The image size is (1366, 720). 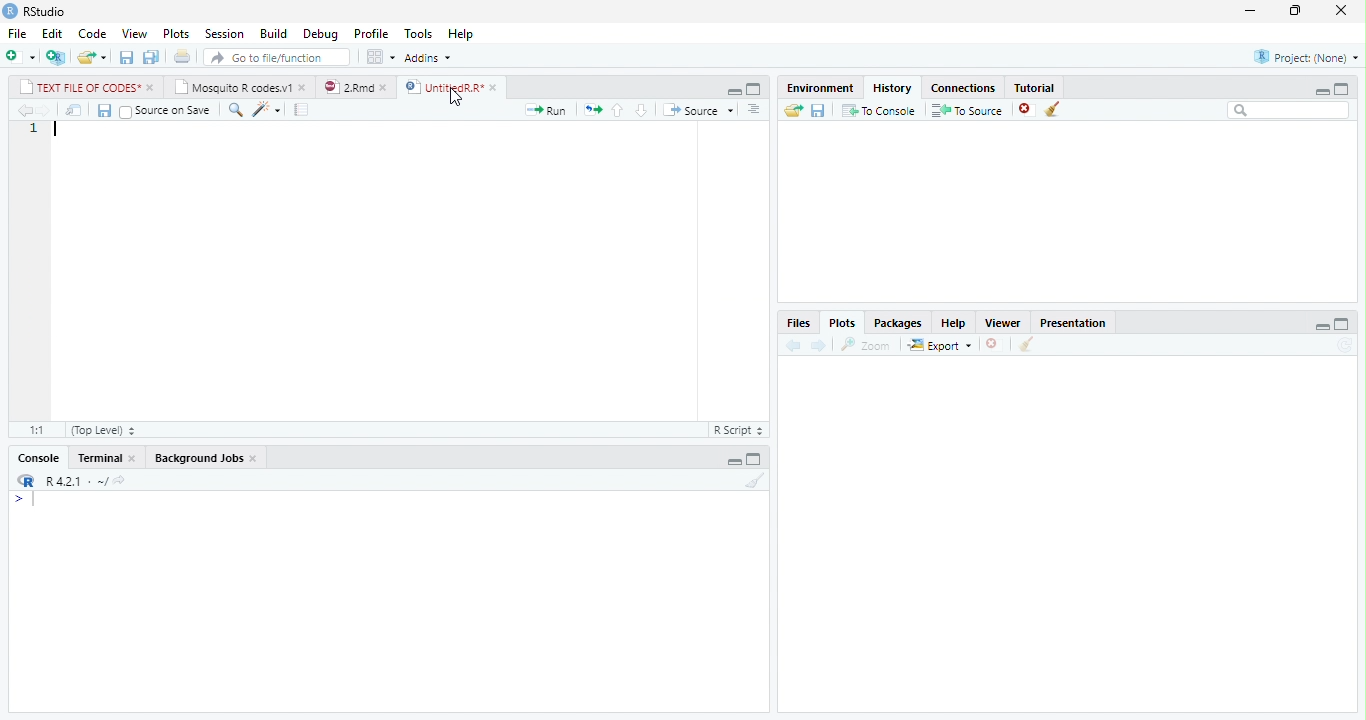 What do you see at coordinates (1341, 9) in the screenshot?
I see `close` at bounding box center [1341, 9].